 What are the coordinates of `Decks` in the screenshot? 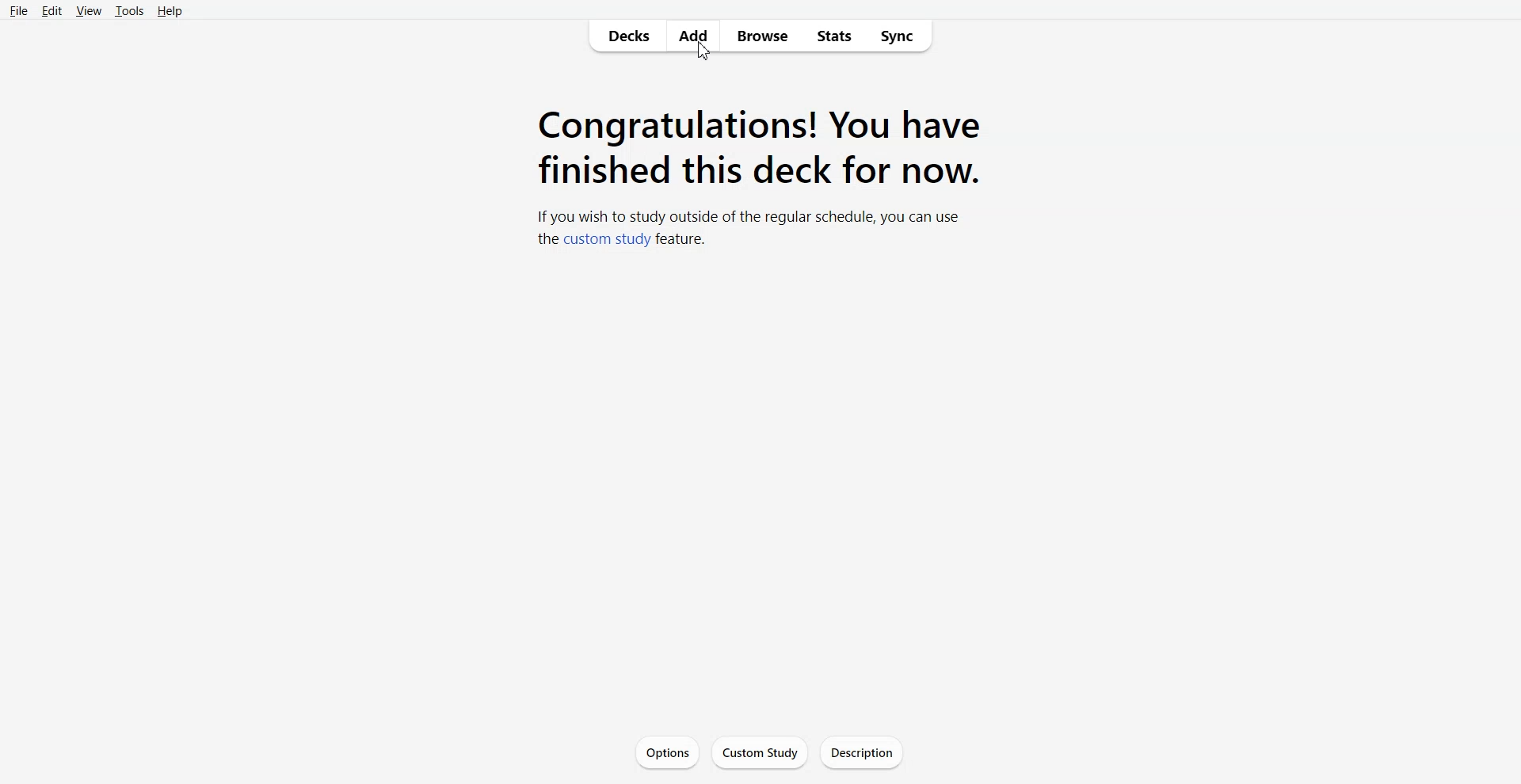 It's located at (627, 36).